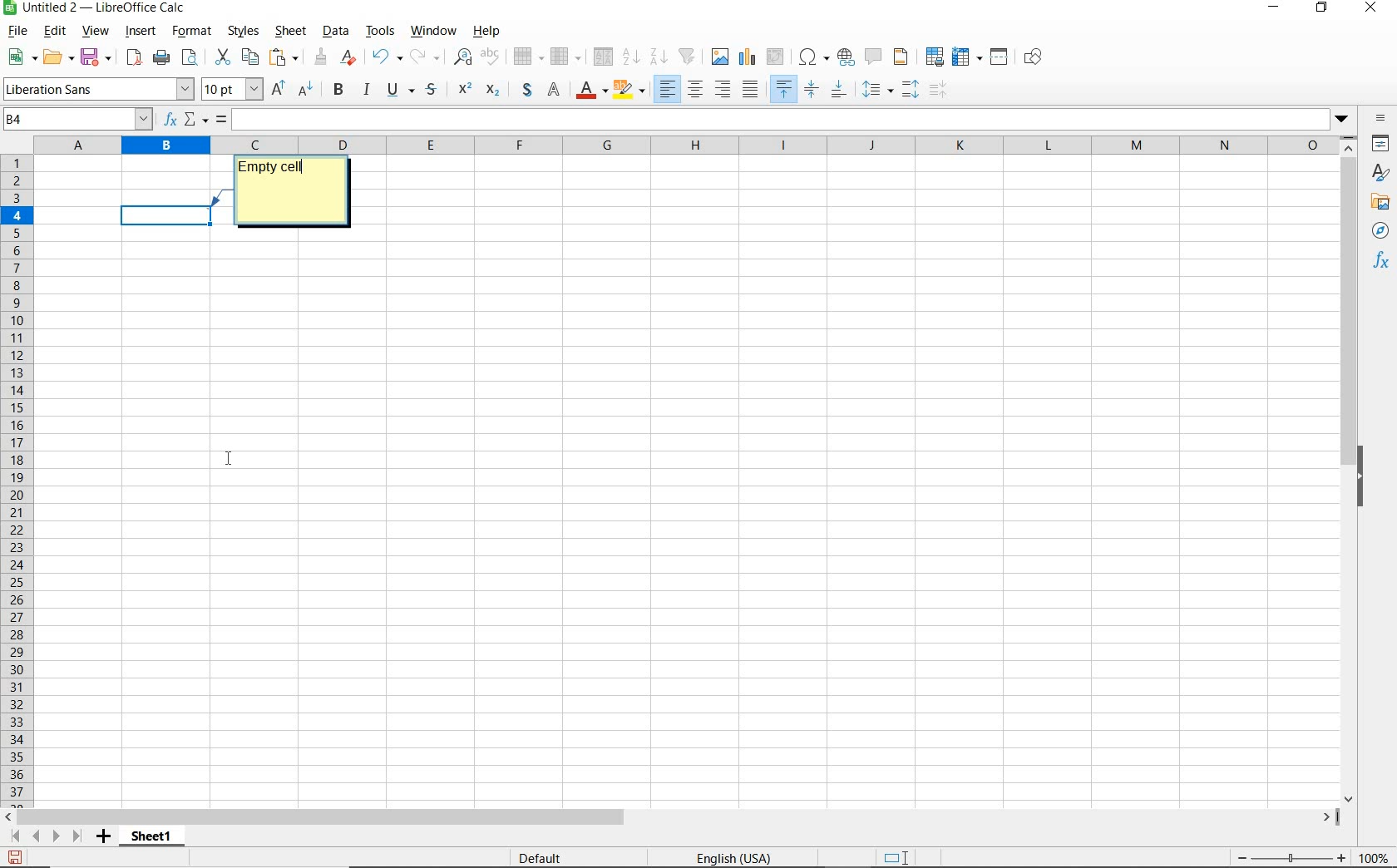  Describe the element at coordinates (250, 57) in the screenshot. I see `copy` at that location.